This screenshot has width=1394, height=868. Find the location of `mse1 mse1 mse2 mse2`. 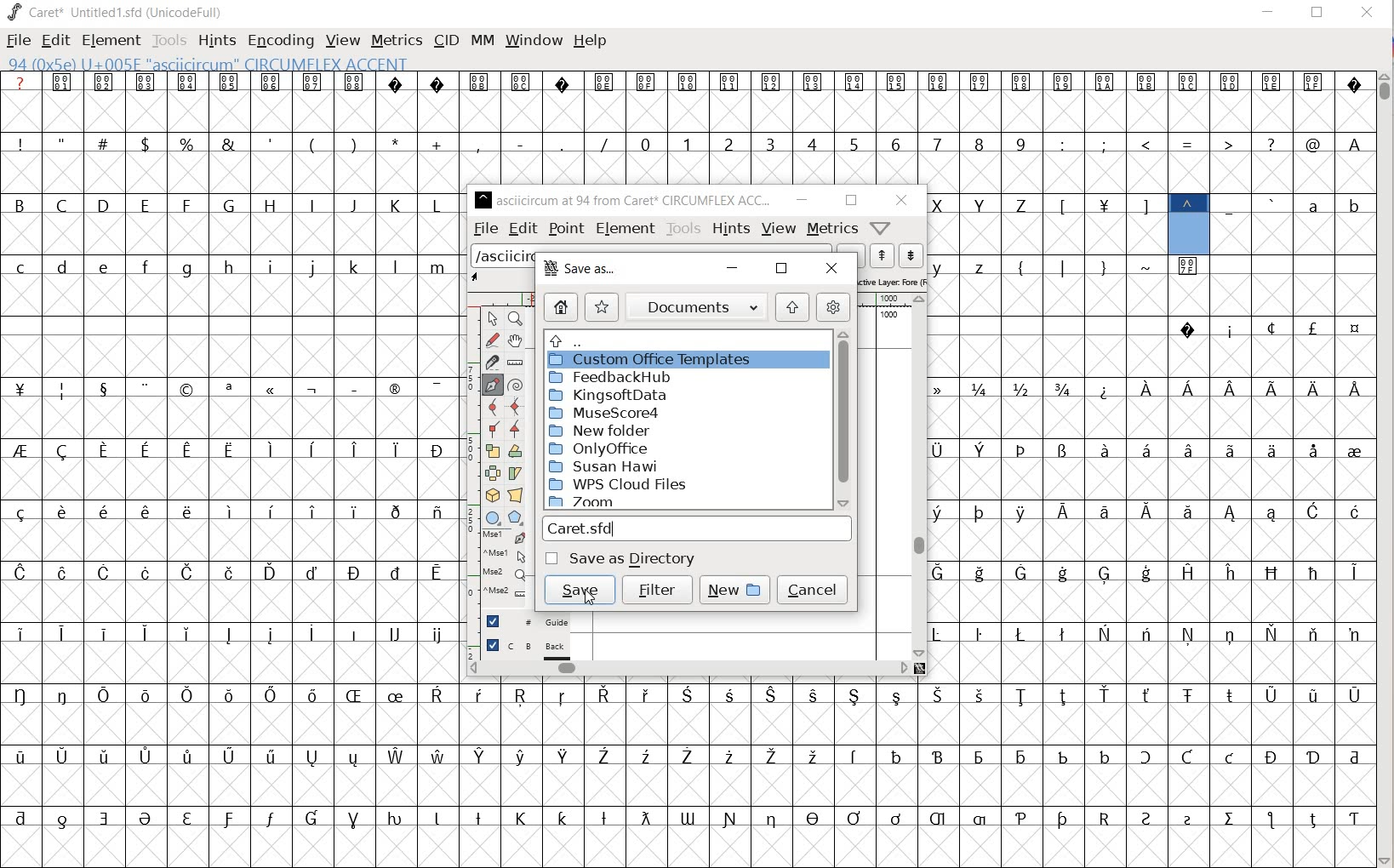

mse1 mse1 mse2 mse2 is located at coordinates (498, 565).